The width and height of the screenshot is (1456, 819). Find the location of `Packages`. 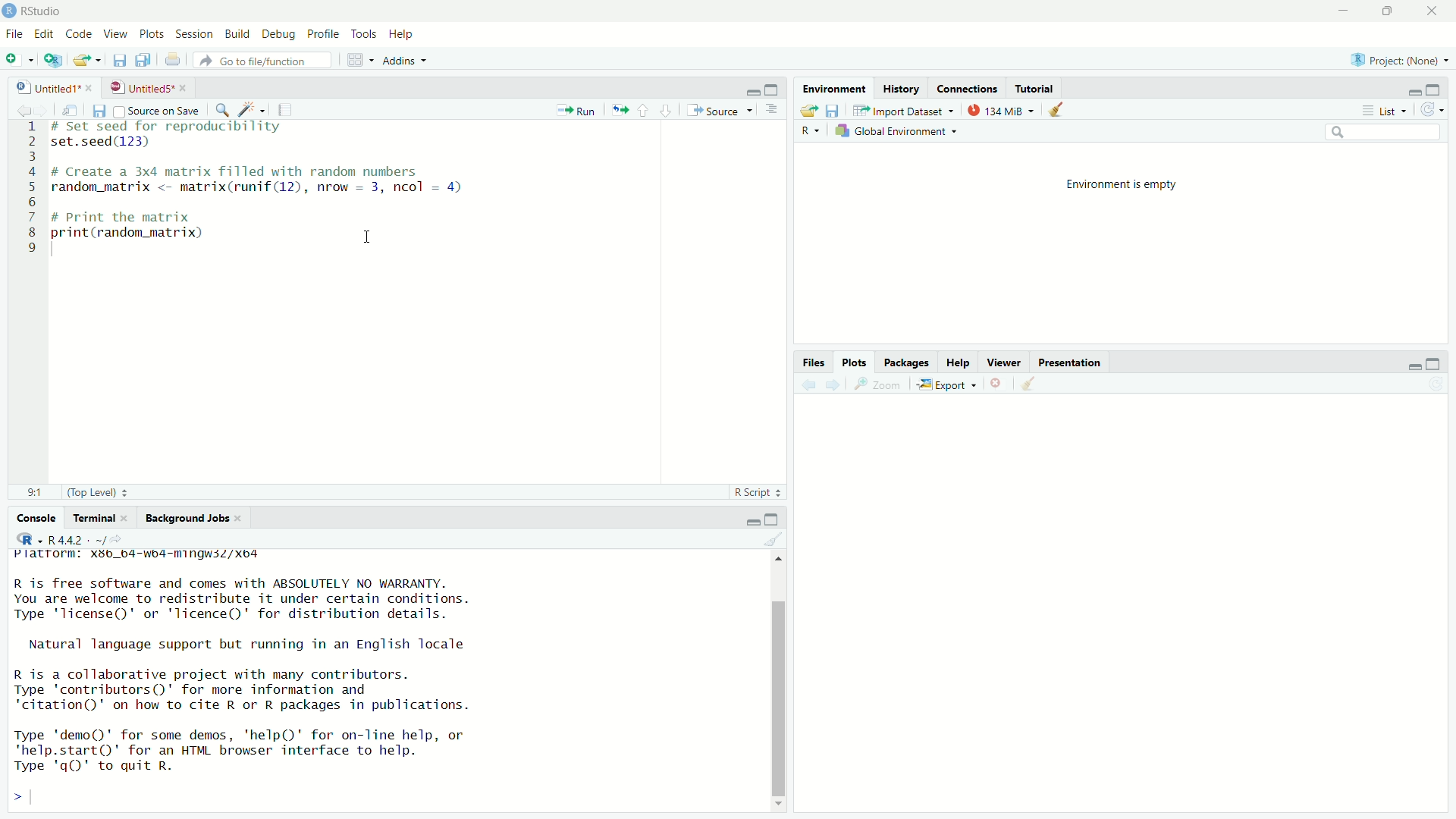

Packages is located at coordinates (908, 365).